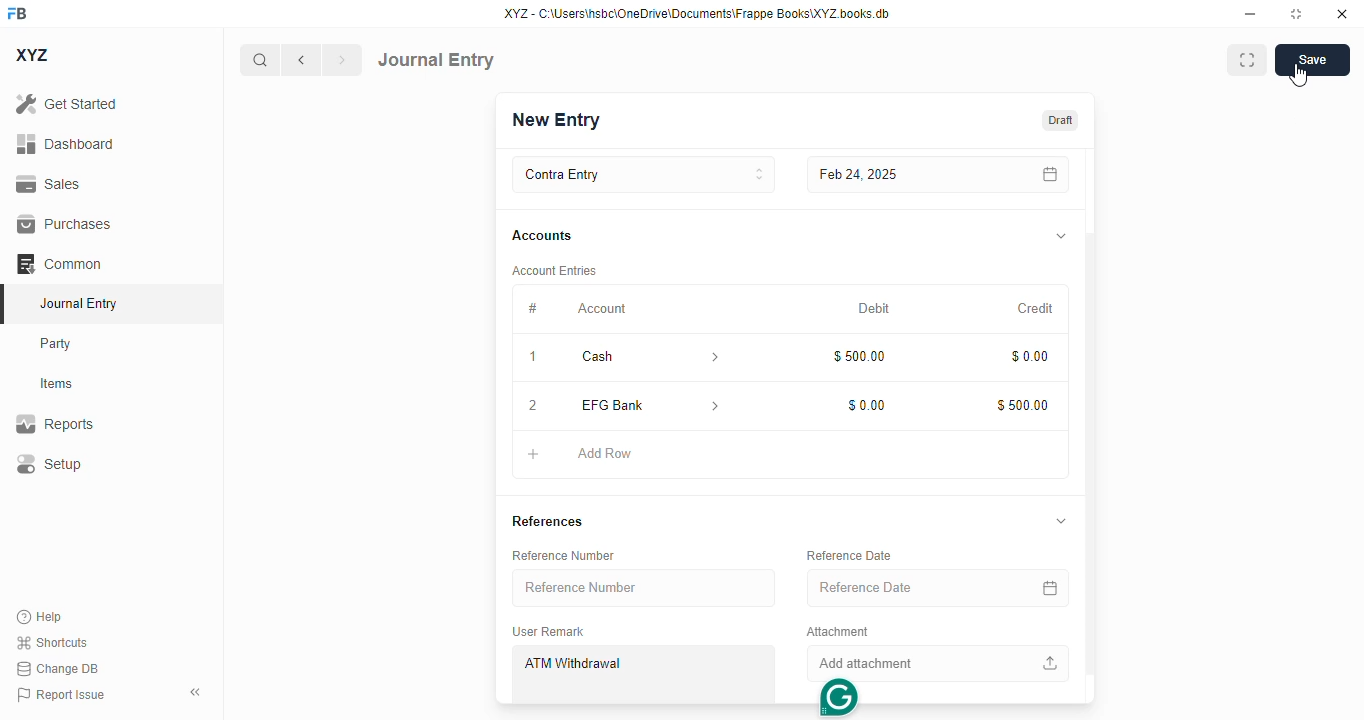 Image resolution: width=1364 pixels, height=720 pixels. What do you see at coordinates (55, 423) in the screenshot?
I see `reports` at bounding box center [55, 423].